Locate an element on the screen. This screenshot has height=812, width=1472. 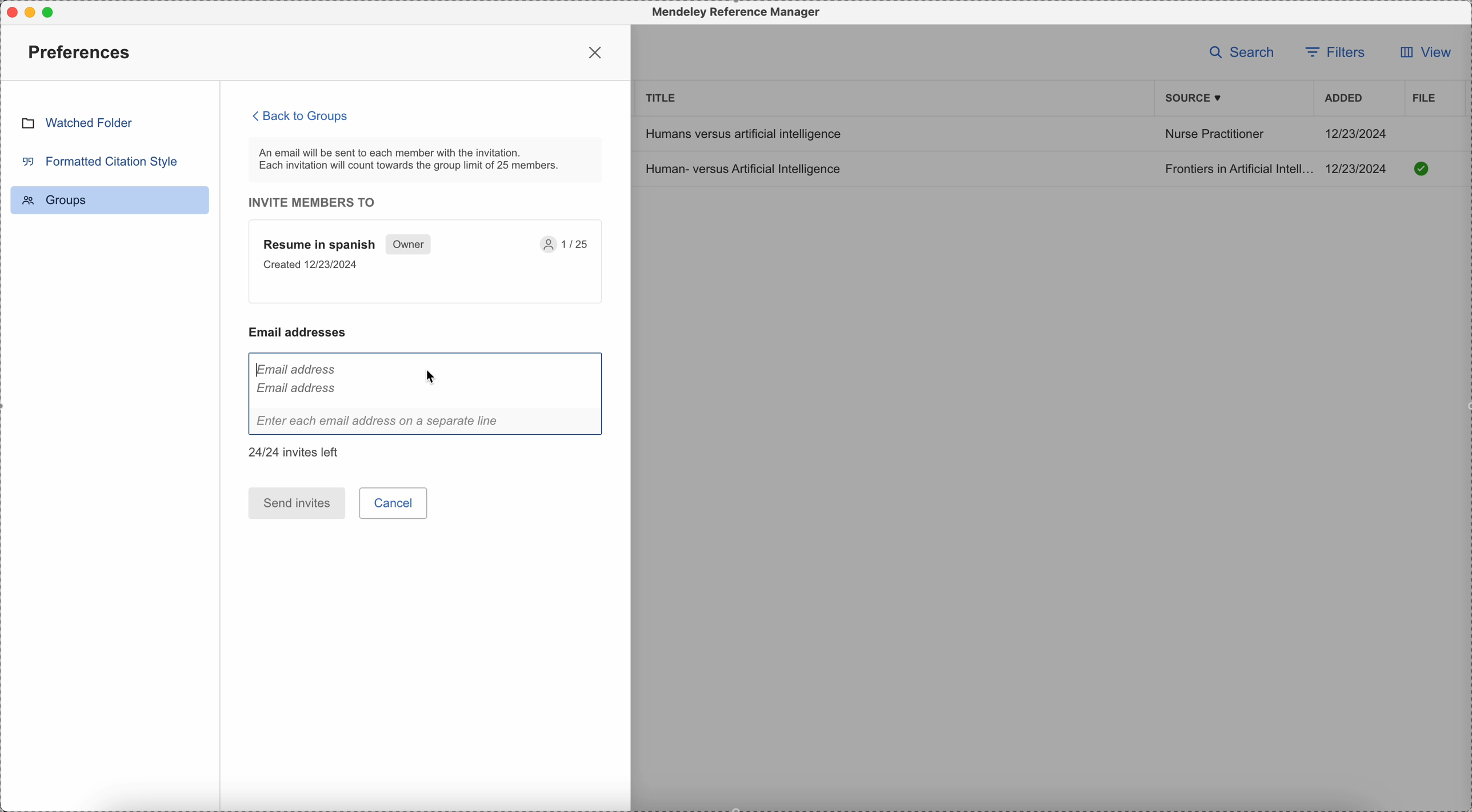
maximize is located at coordinates (53, 11).